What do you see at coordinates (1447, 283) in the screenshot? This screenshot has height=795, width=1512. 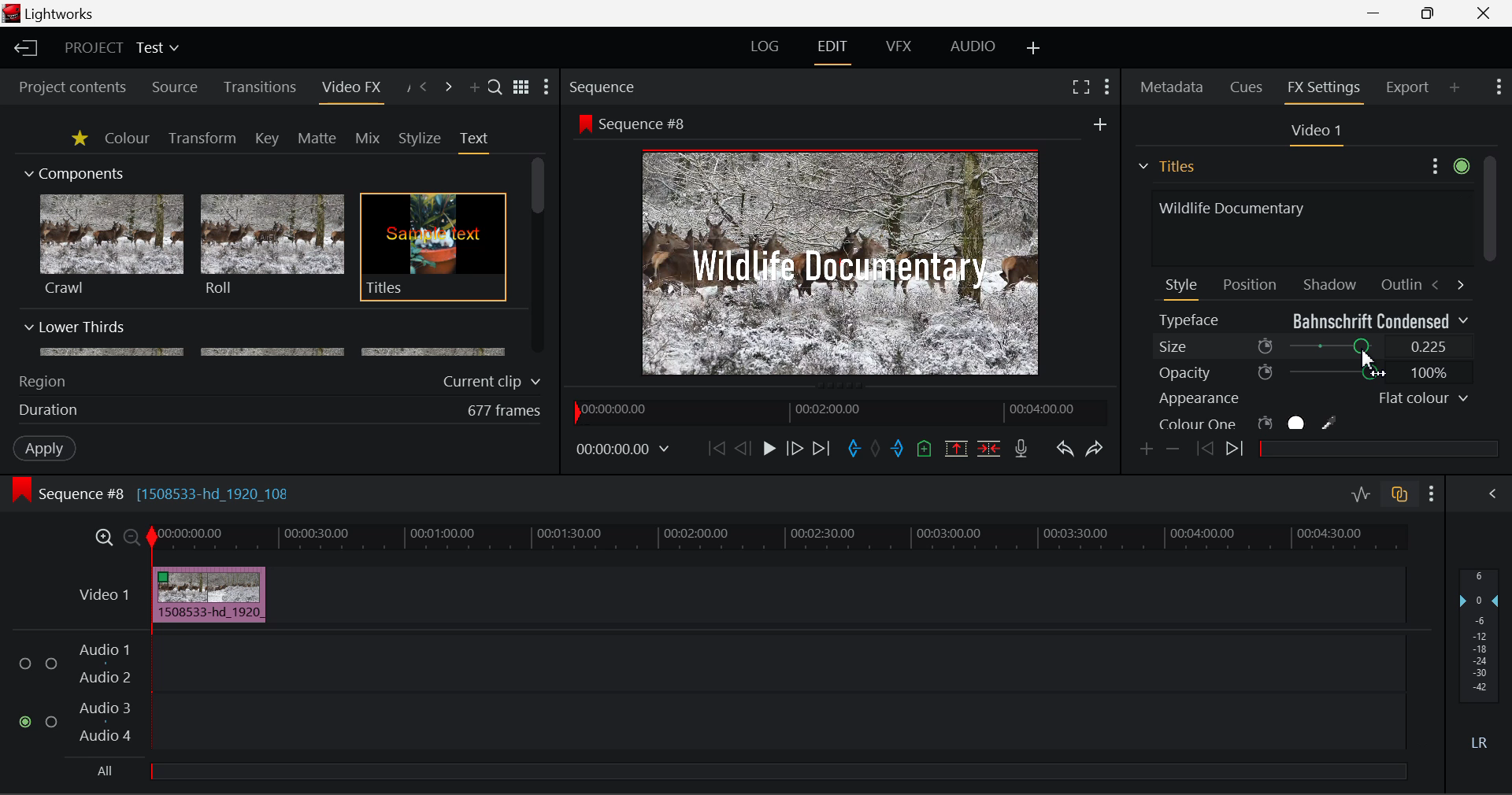 I see `Move between Tabs` at bounding box center [1447, 283].